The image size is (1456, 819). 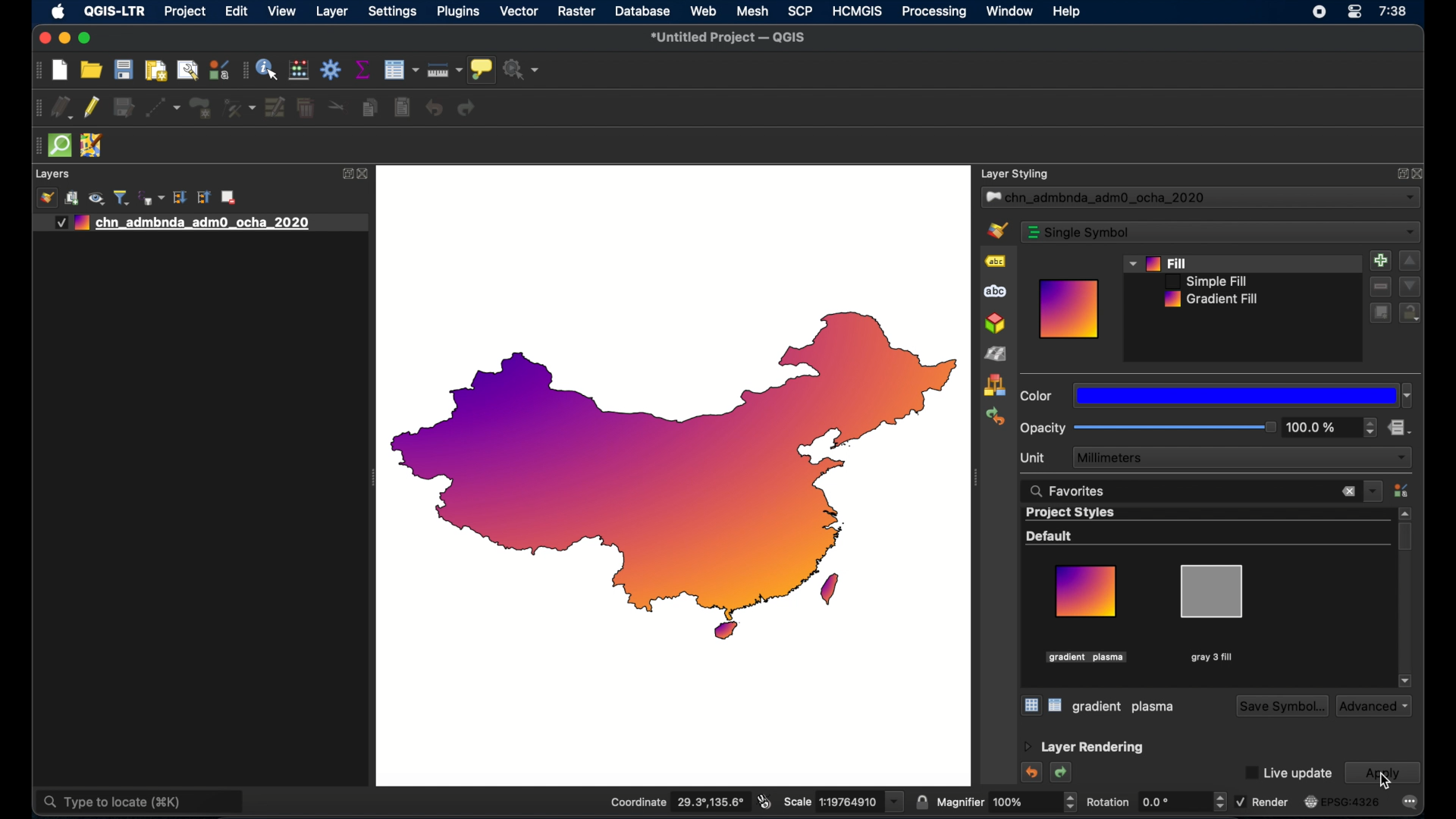 What do you see at coordinates (370, 108) in the screenshot?
I see `copy` at bounding box center [370, 108].